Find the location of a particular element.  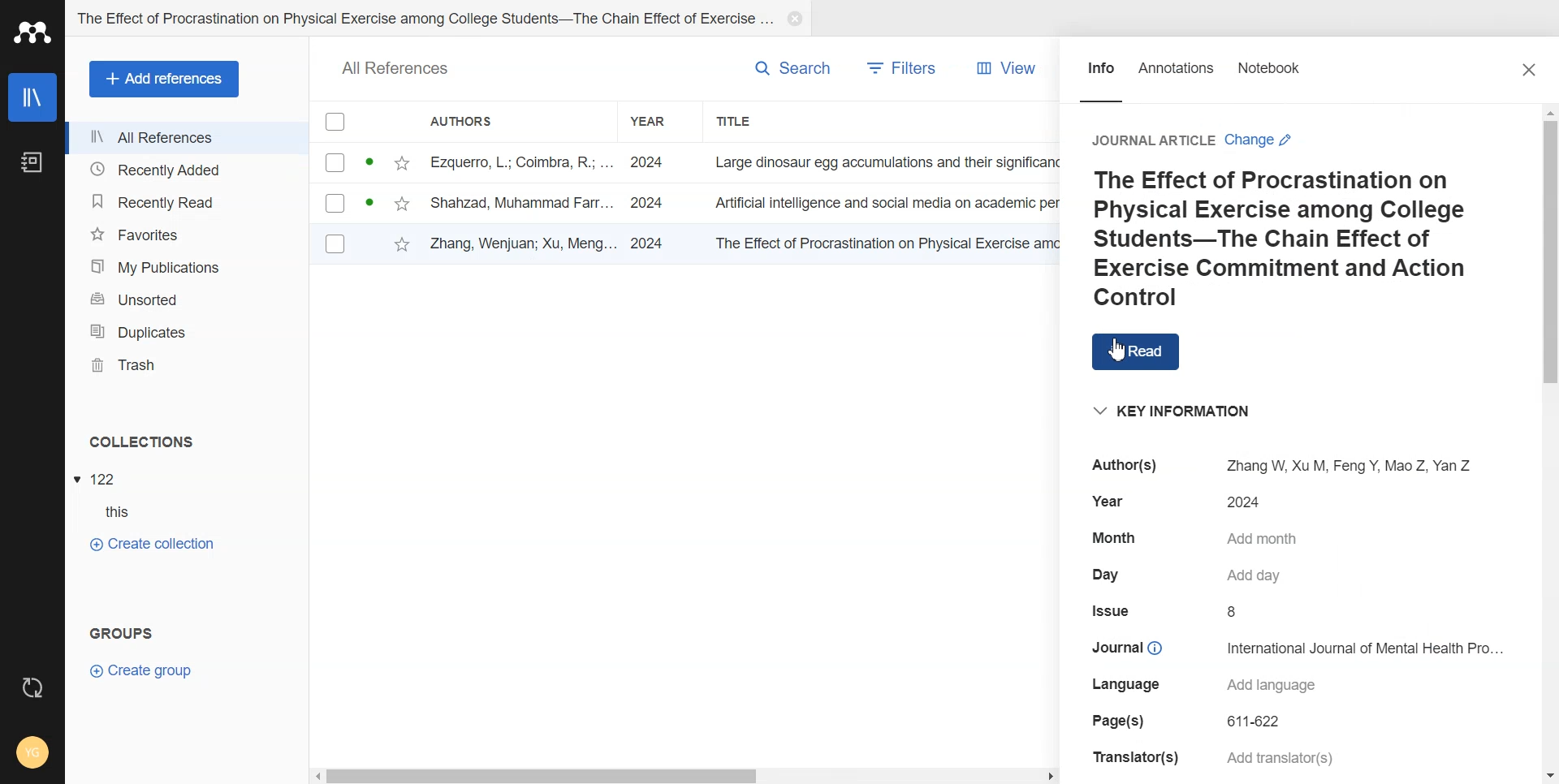

2024 is located at coordinates (651, 199).